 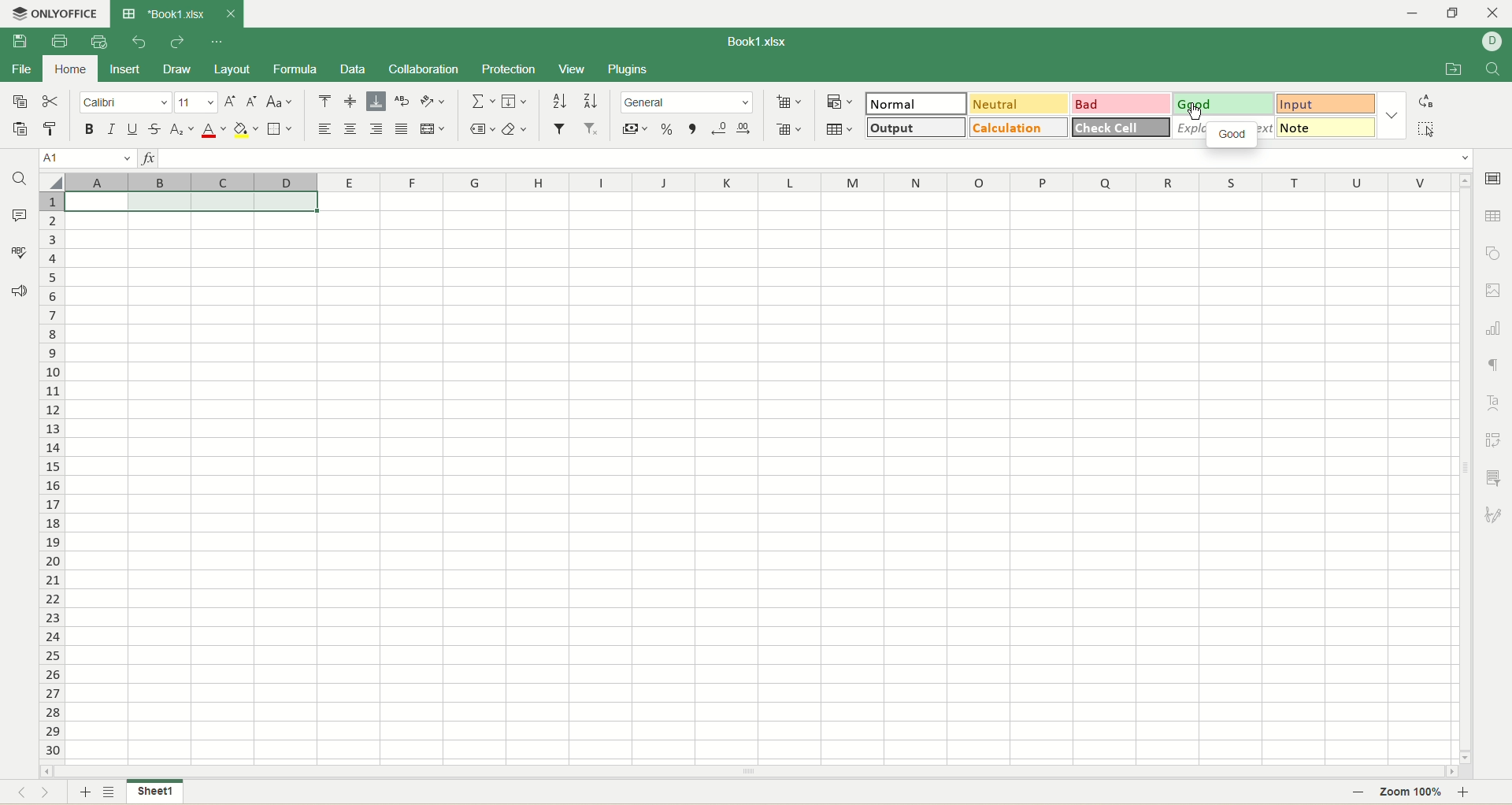 I want to click on decrease size, so click(x=254, y=102).